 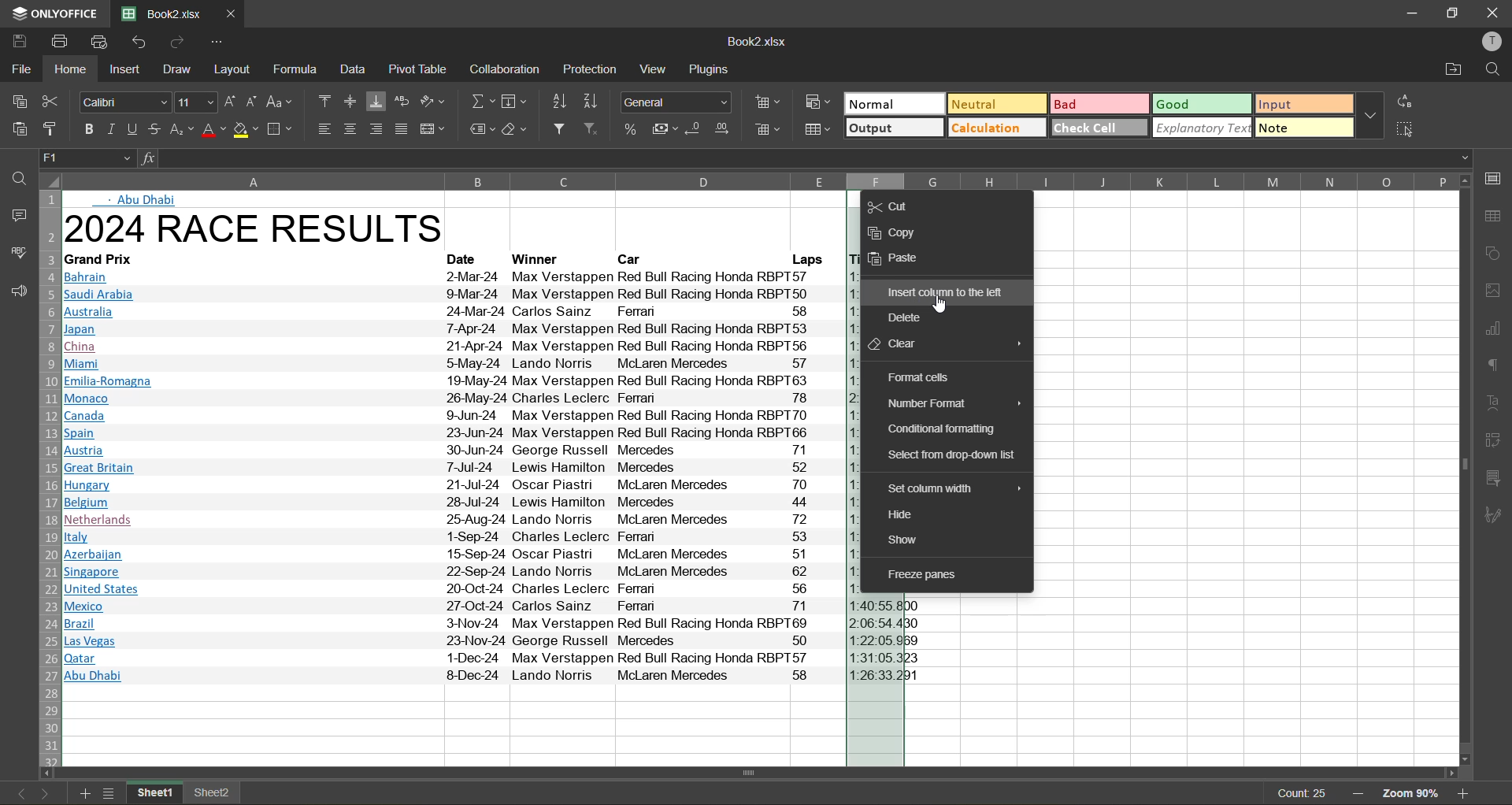 What do you see at coordinates (450, 469) in the screenshot?
I see `Great Britain 7-Jul-24 Lewis Hamilton Mercedes 52 1:22:27.059` at bounding box center [450, 469].